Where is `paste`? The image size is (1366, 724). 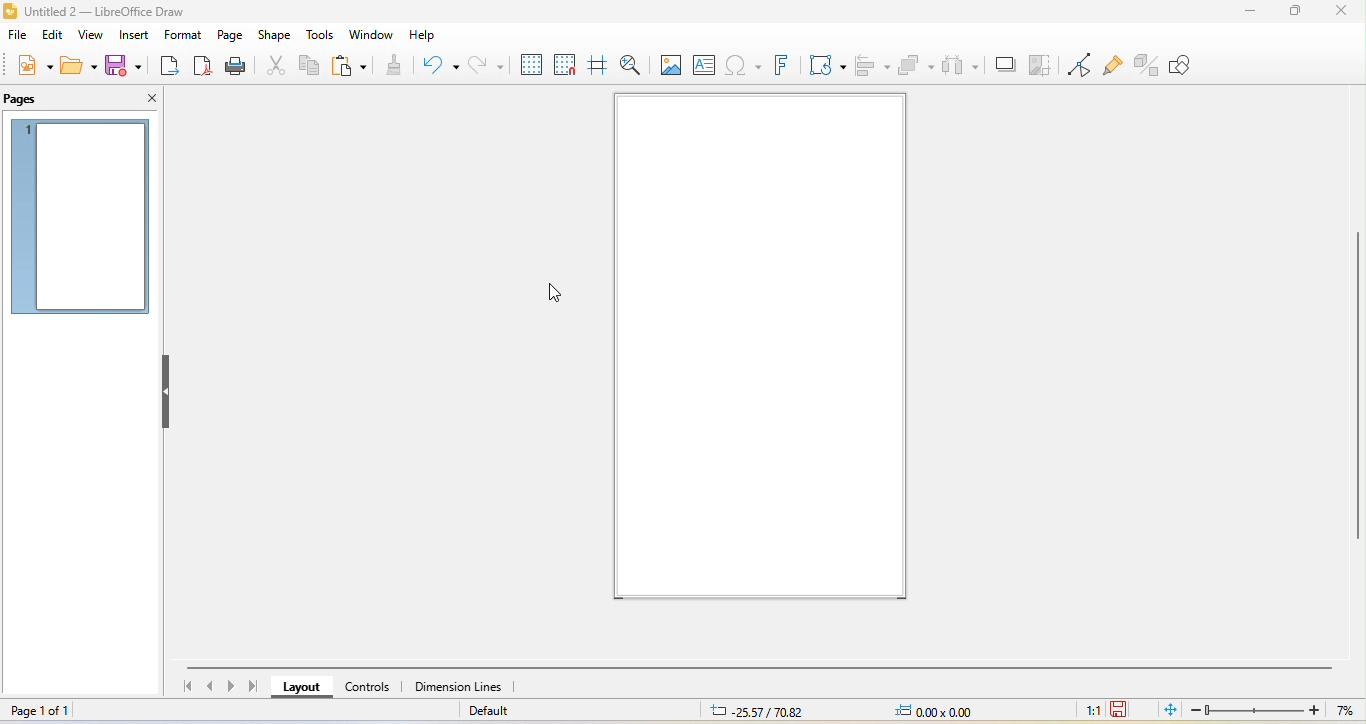 paste is located at coordinates (351, 67).